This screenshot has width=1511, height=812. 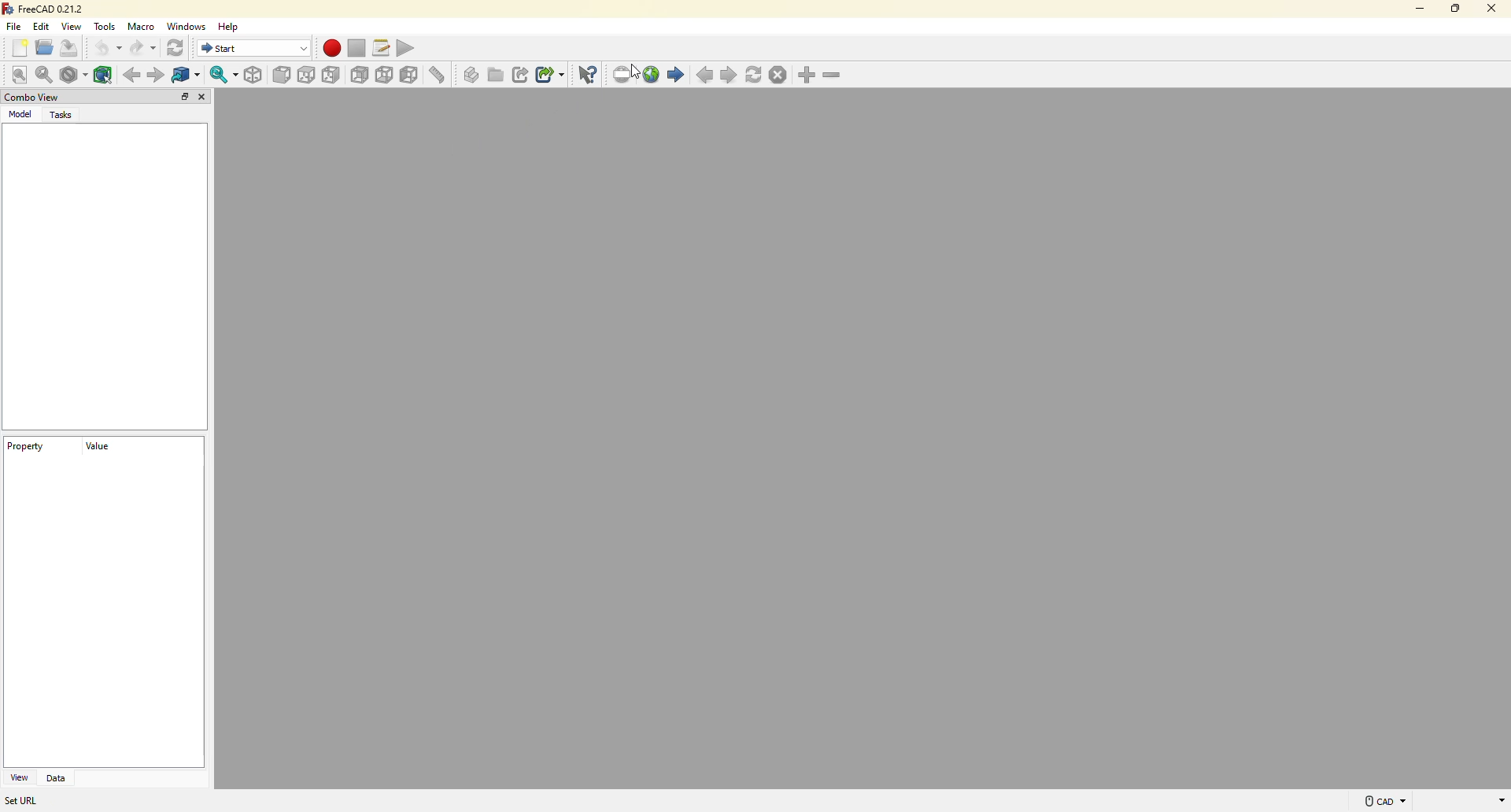 What do you see at coordinates (1376, 802) in the screenshot?
I see `cad navigation` at bounding box center [1376, 802].